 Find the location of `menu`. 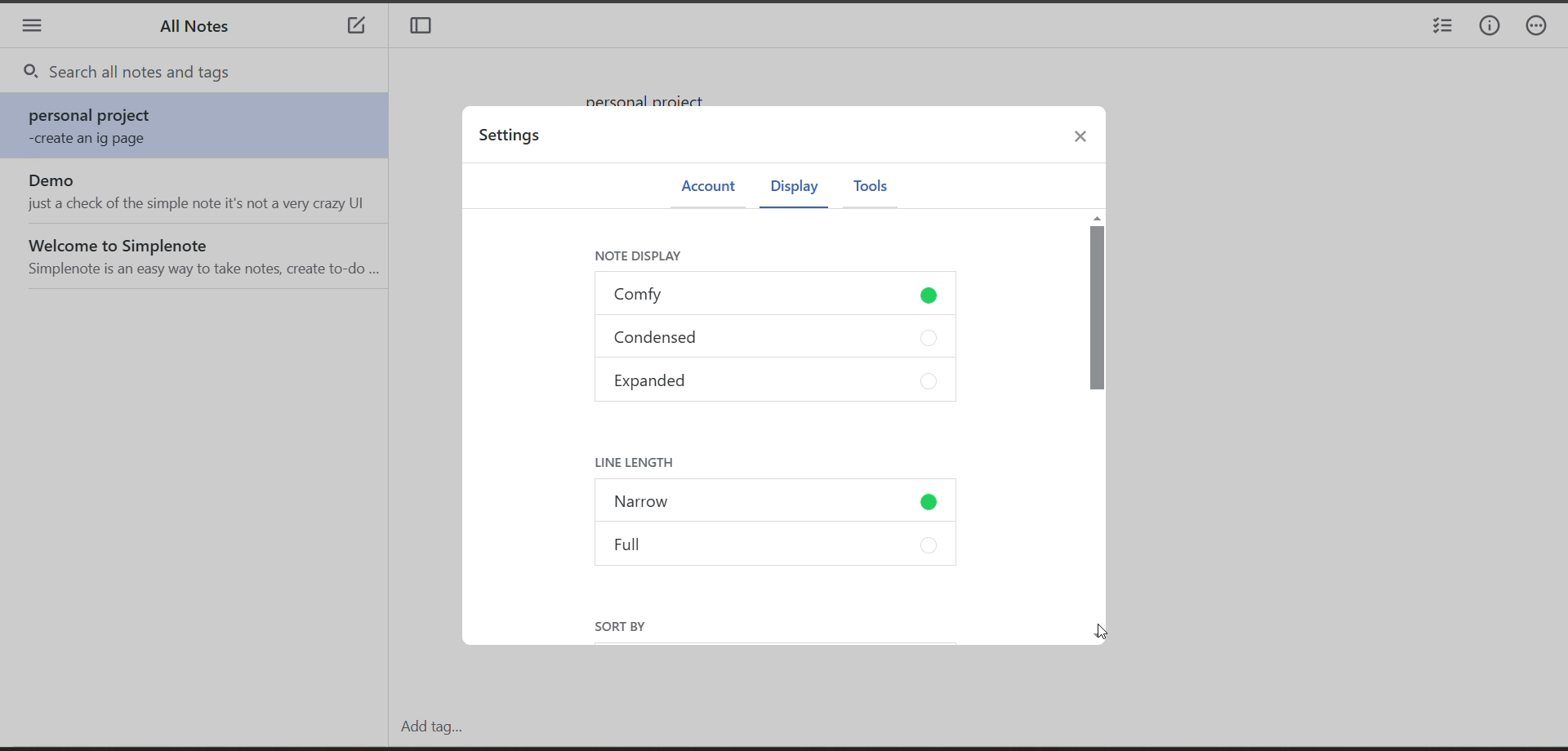

menu is located at coordinates (32, 28).